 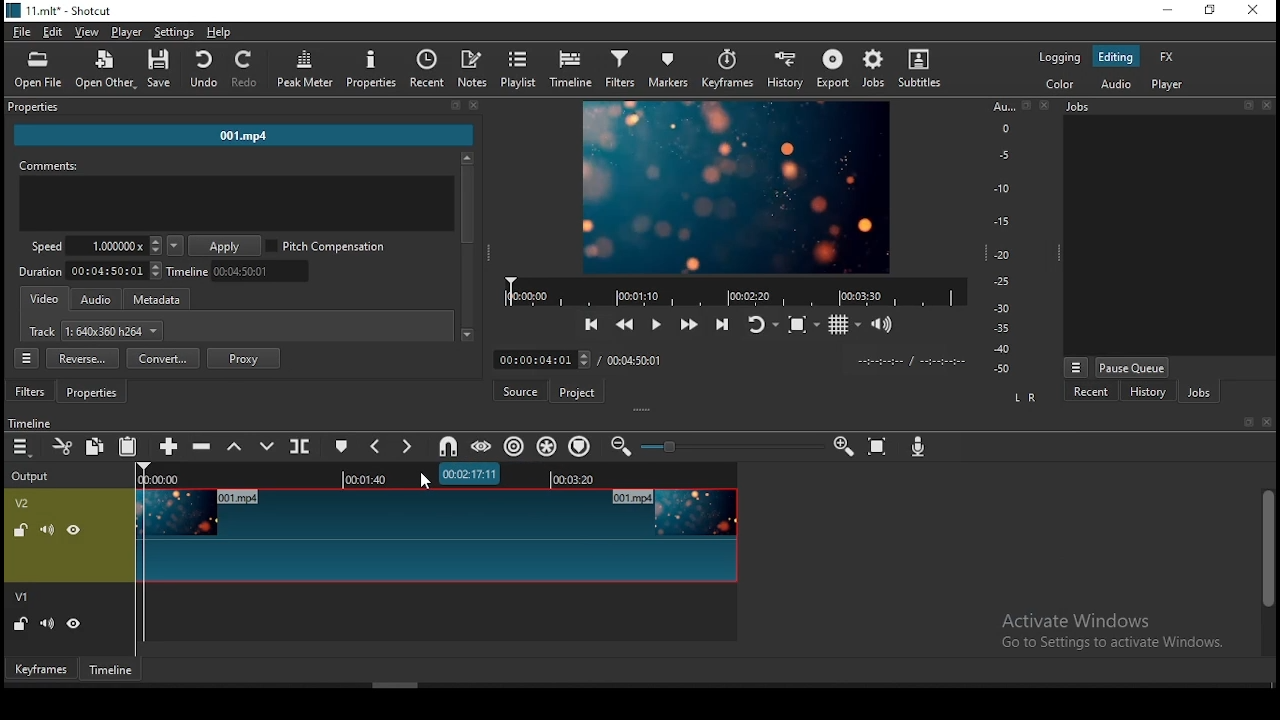 What do you see at coordinates (447, 447) in the screenshot?
I see `snap` at bounding box center [447, 447].